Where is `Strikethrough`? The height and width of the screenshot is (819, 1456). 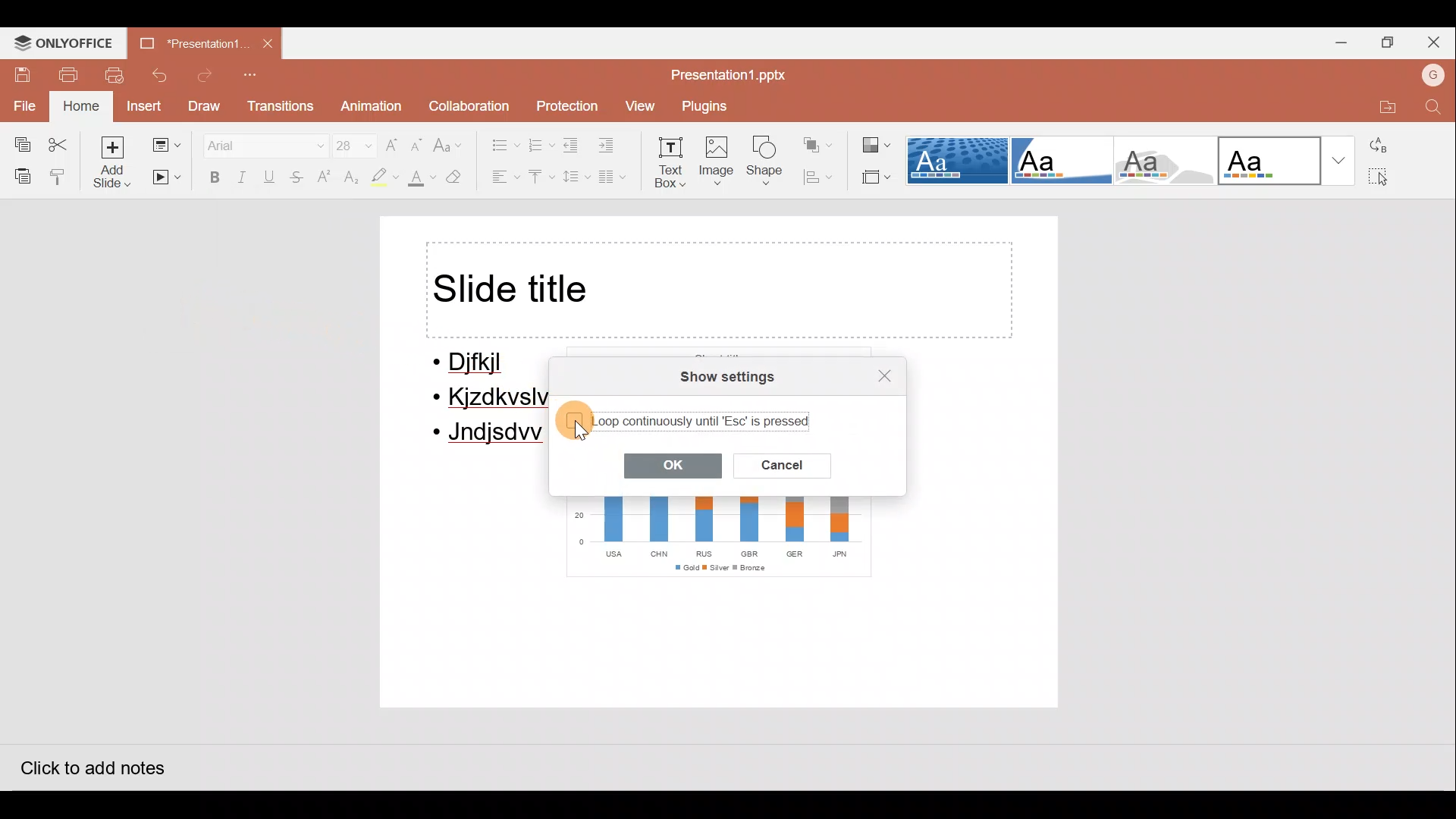
Strikethrough is located at coordinates (293, 177).